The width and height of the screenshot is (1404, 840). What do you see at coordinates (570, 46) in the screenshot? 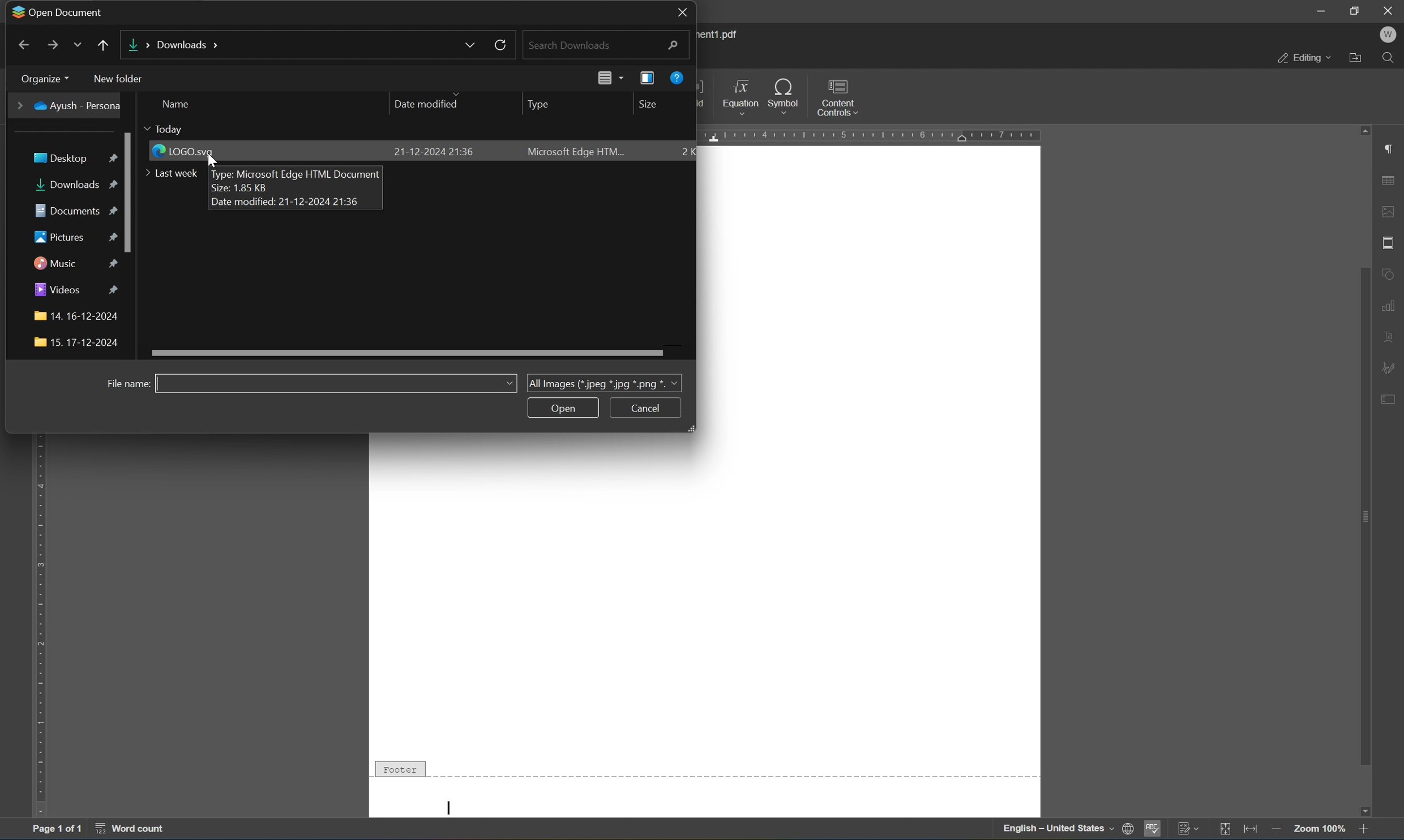
I see `search documents` at bounding box center [570, 46].